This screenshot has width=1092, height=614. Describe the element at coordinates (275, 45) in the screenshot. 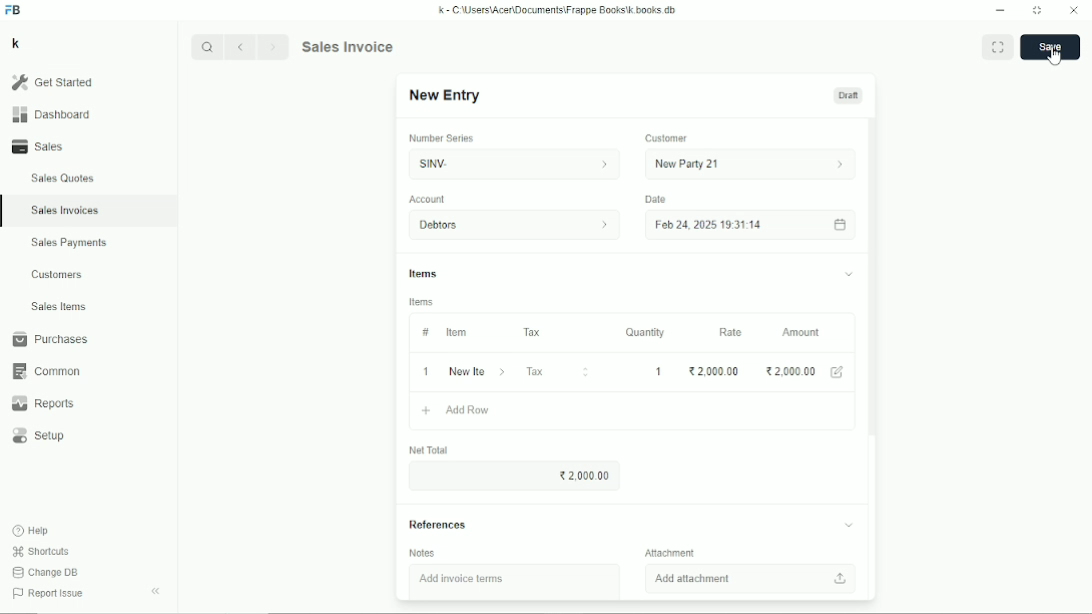

I see `Forward` at that location.